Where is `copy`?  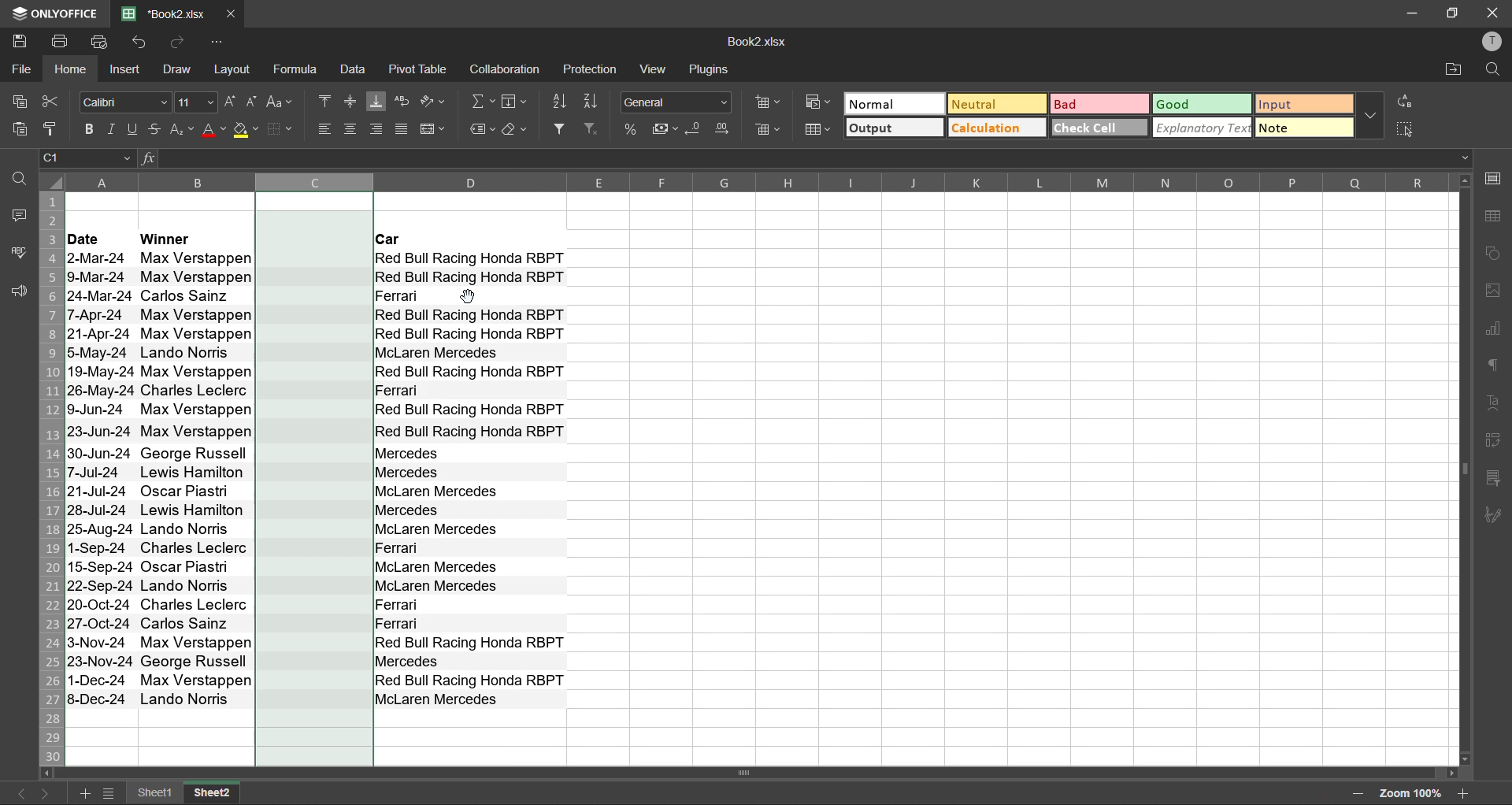 copy is located at coordinates (23, 102).